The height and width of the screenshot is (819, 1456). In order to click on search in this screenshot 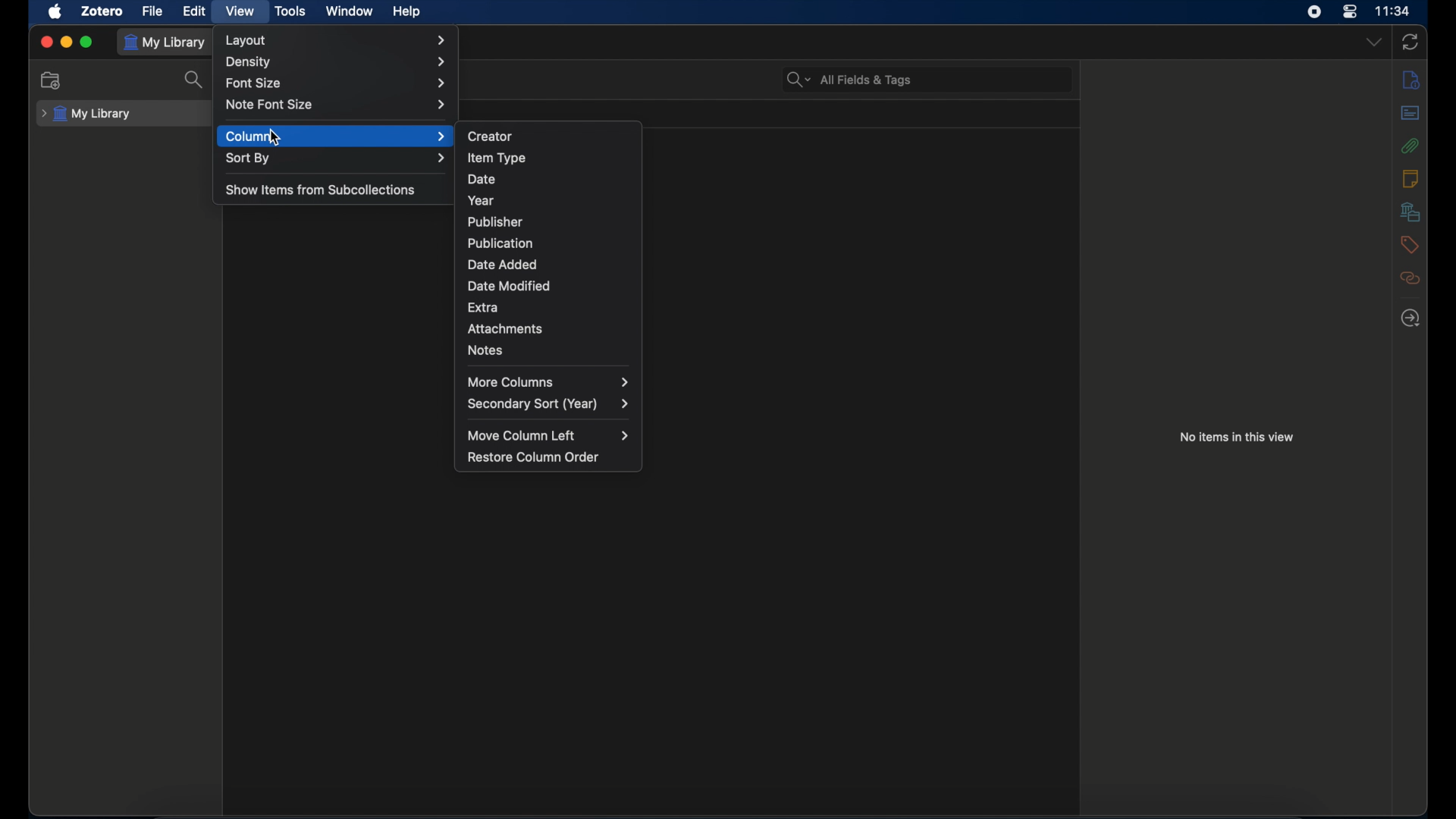, I will do `click(196, 81)`.